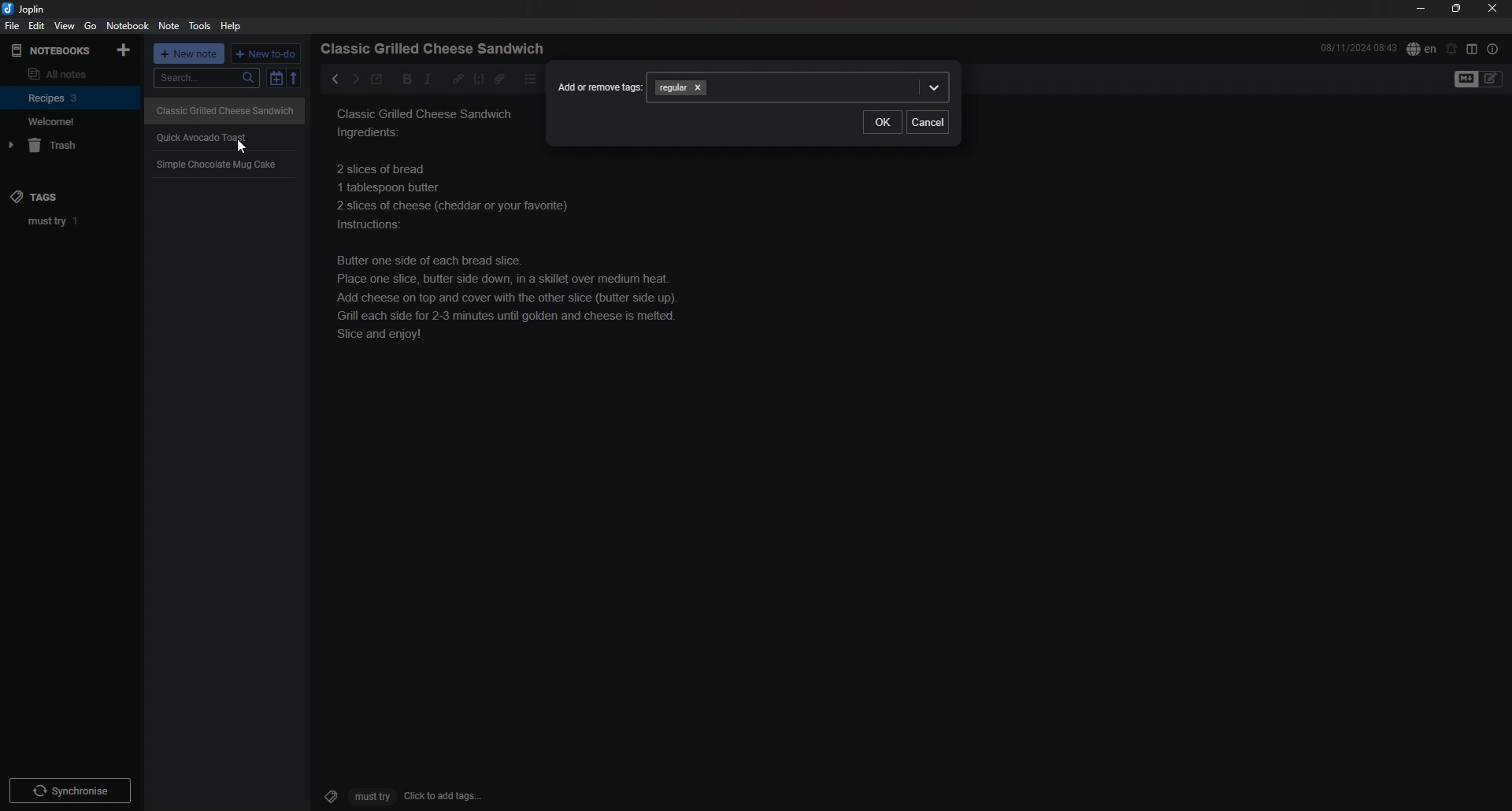  I want to click on heading, so click(437, 49).